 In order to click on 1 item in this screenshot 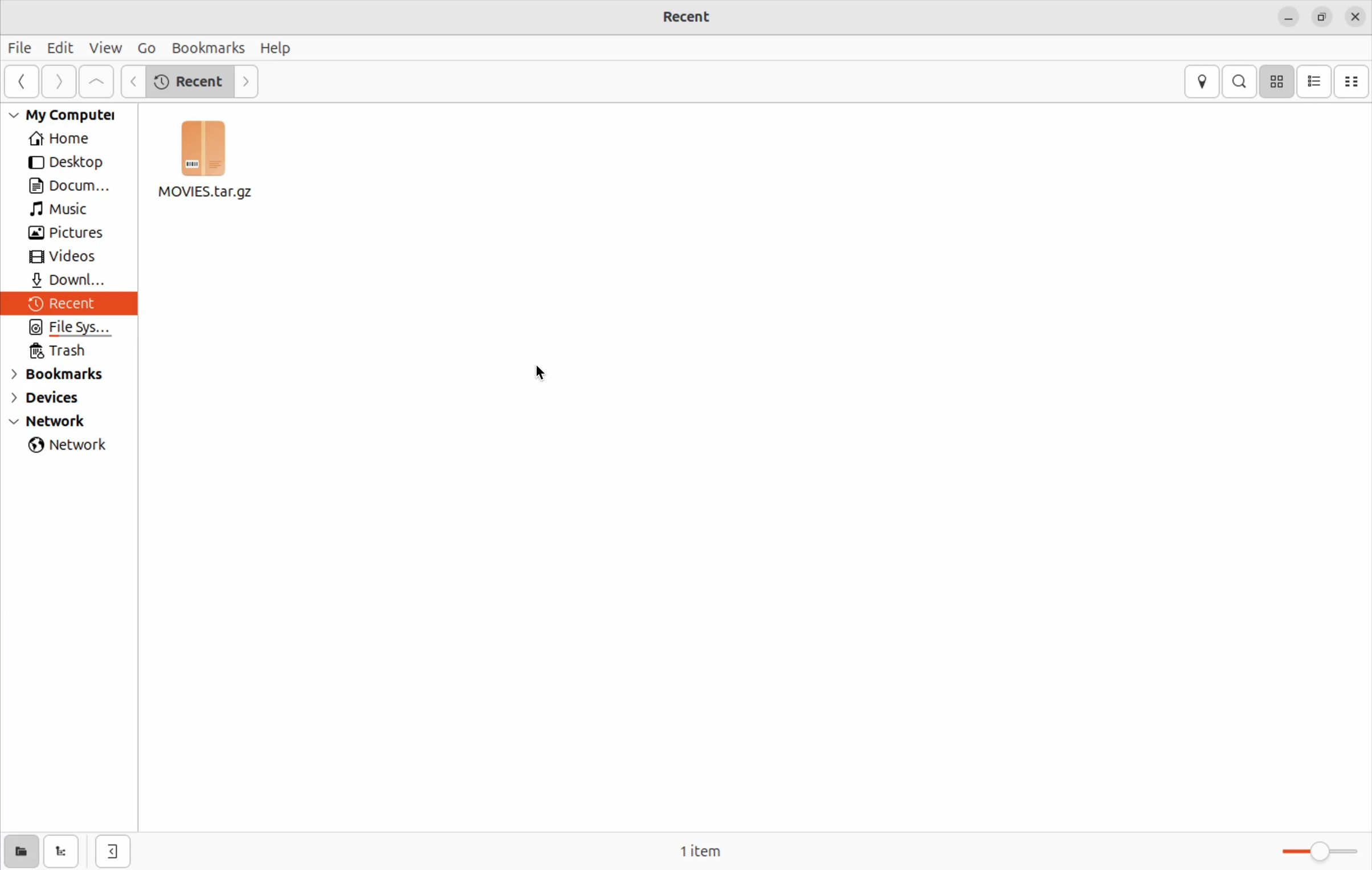, I will do `click(716, 850)`.